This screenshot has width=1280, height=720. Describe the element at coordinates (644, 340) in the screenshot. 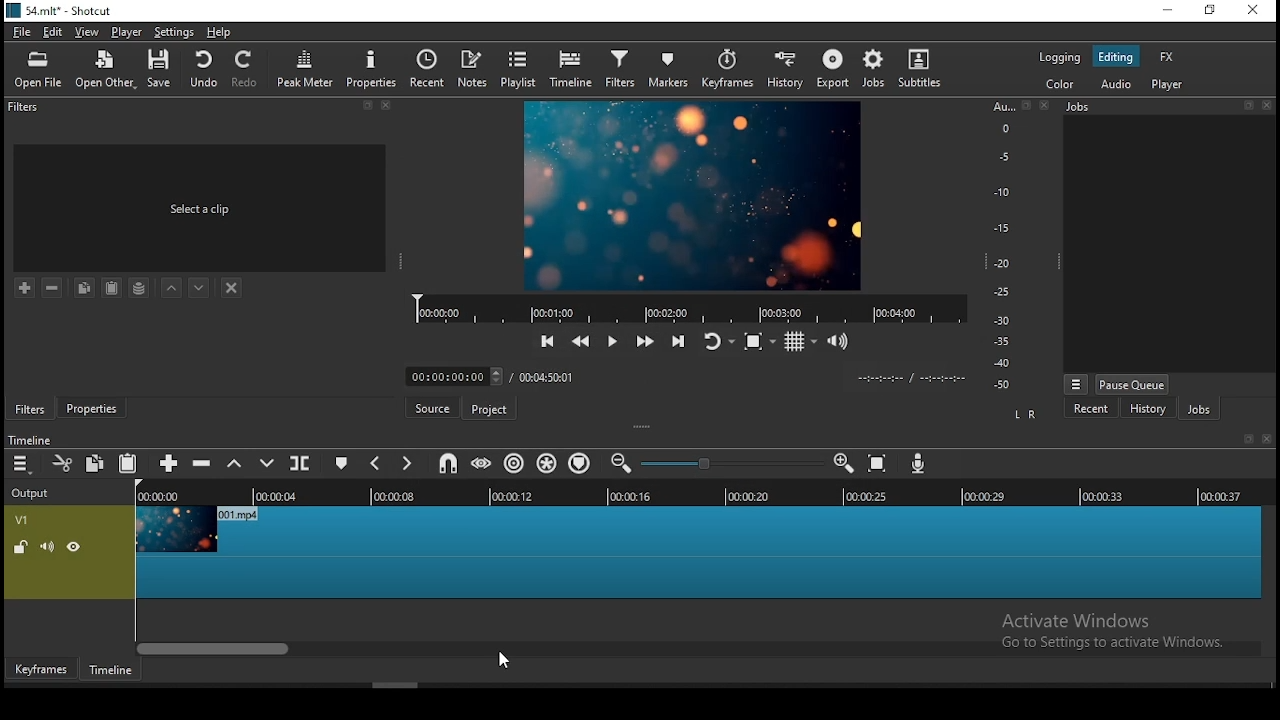

I see `play quickly forwards` at that location.